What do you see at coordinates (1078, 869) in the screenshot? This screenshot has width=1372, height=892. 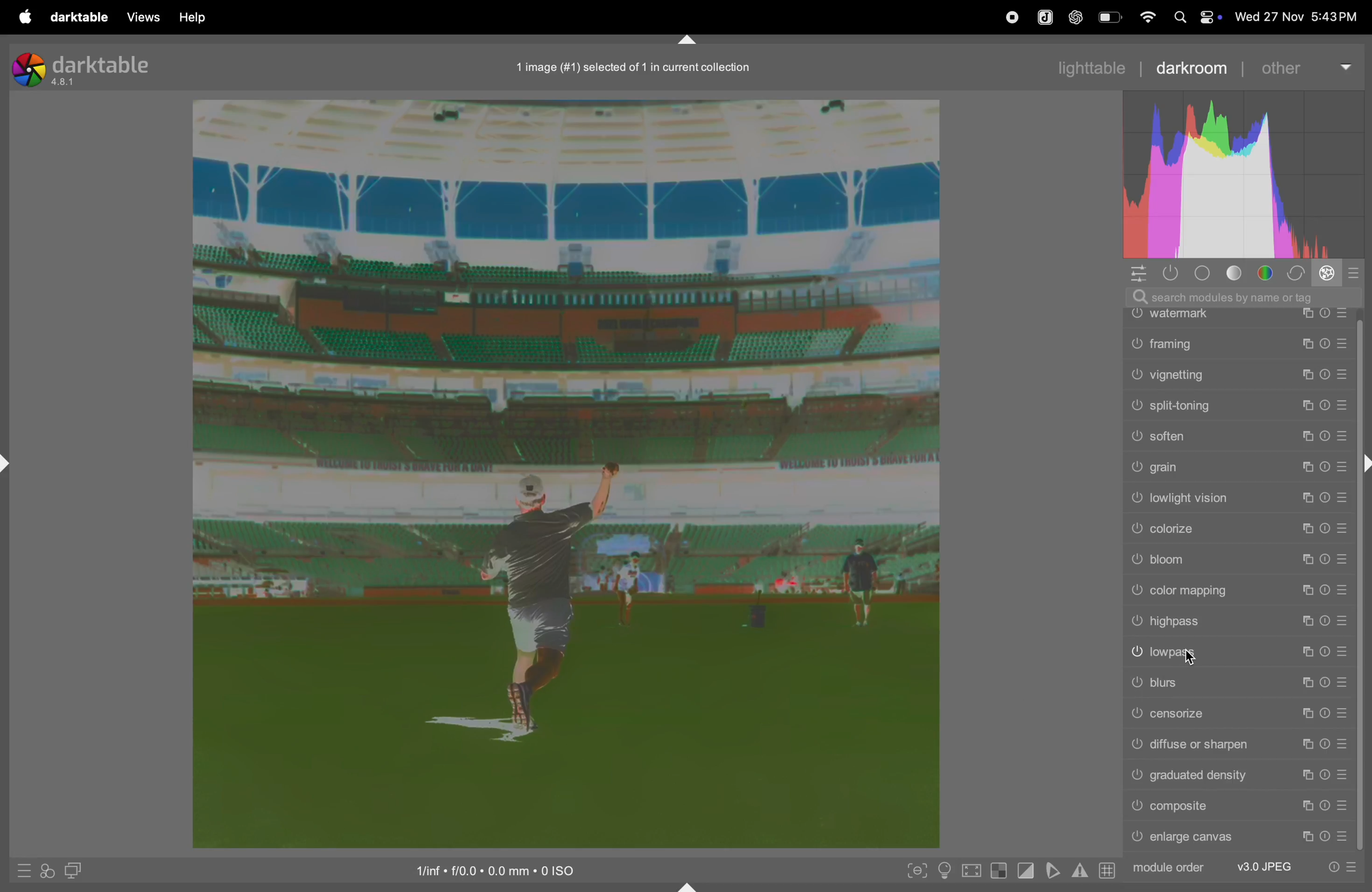 I see `indicators` at bounding box center [1078, 869].